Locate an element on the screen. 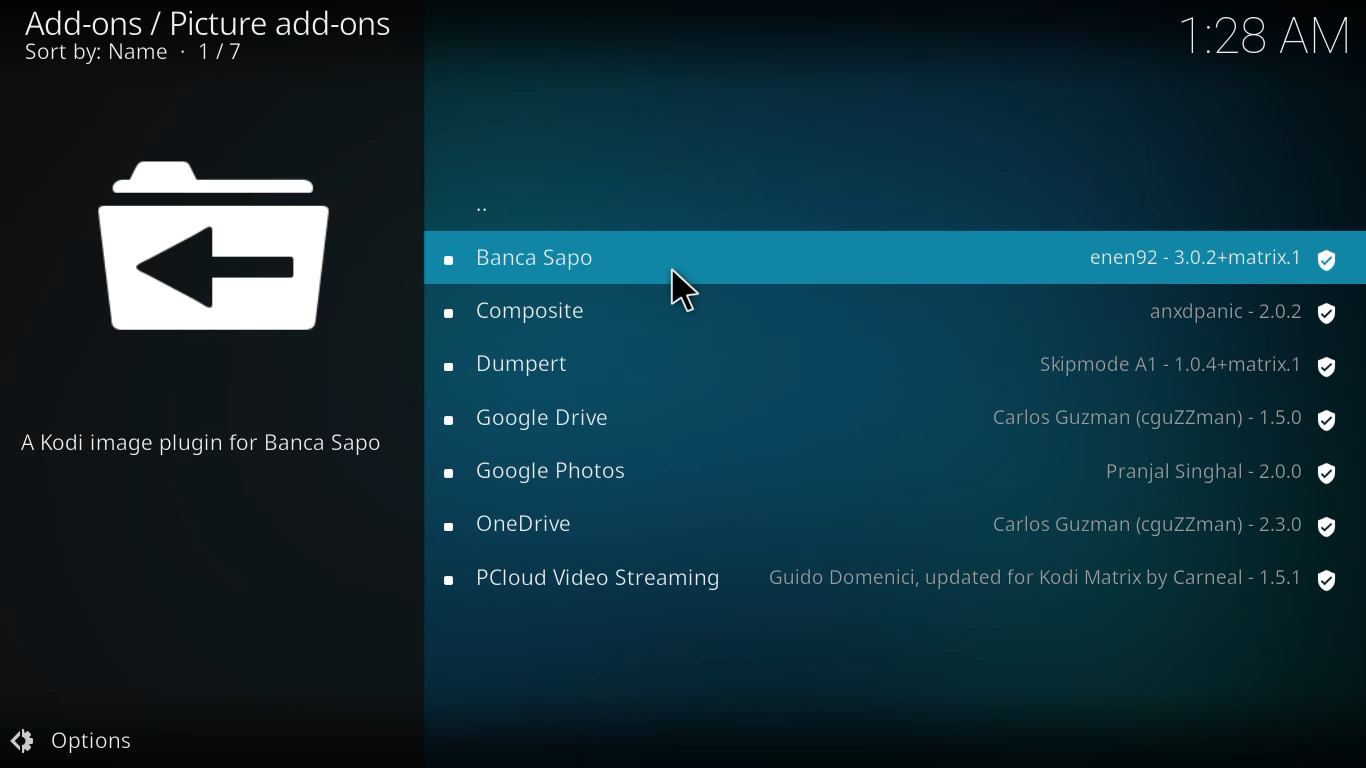 The width and height of the screenshot is (1366, 768). version is located at coordinates (1220, 471).